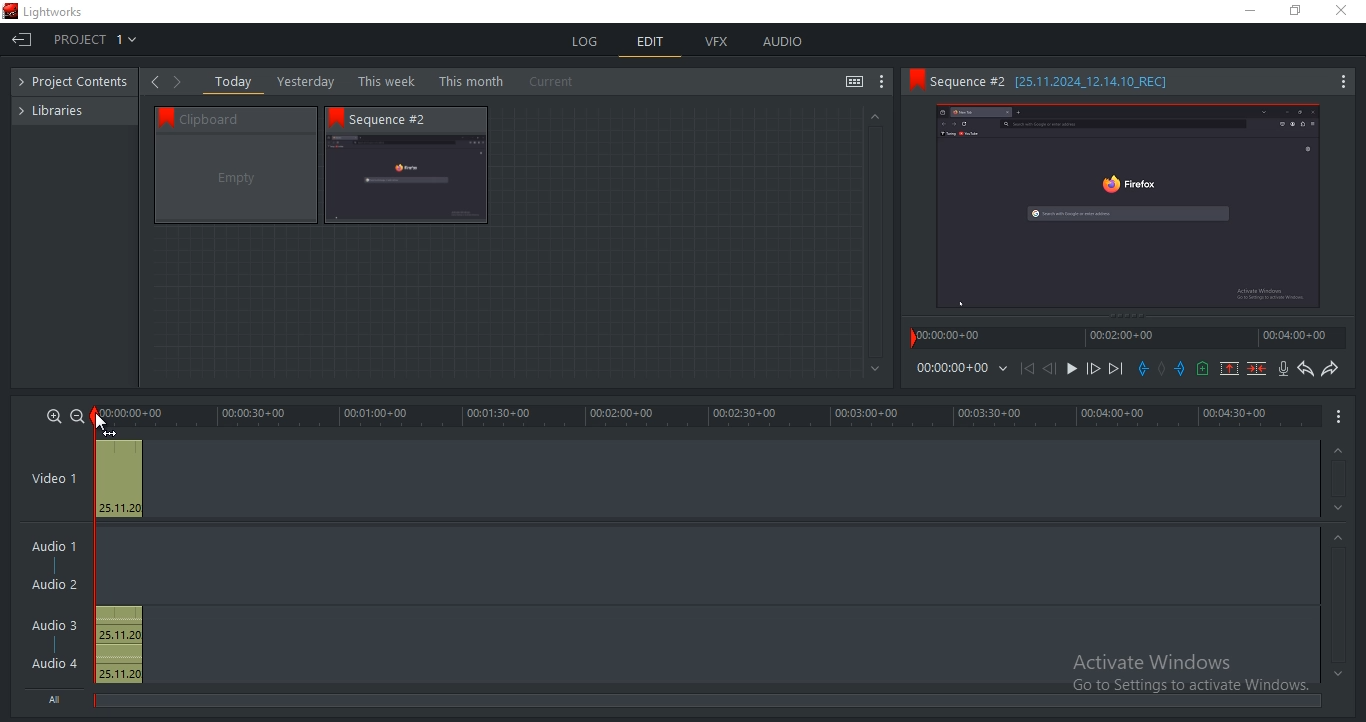 The width and height of the screenshot is (1366, 722). What do you see at coordinates (236, 179) in the screenshot?
I see `clipboard` at bounding box center [236, 179].